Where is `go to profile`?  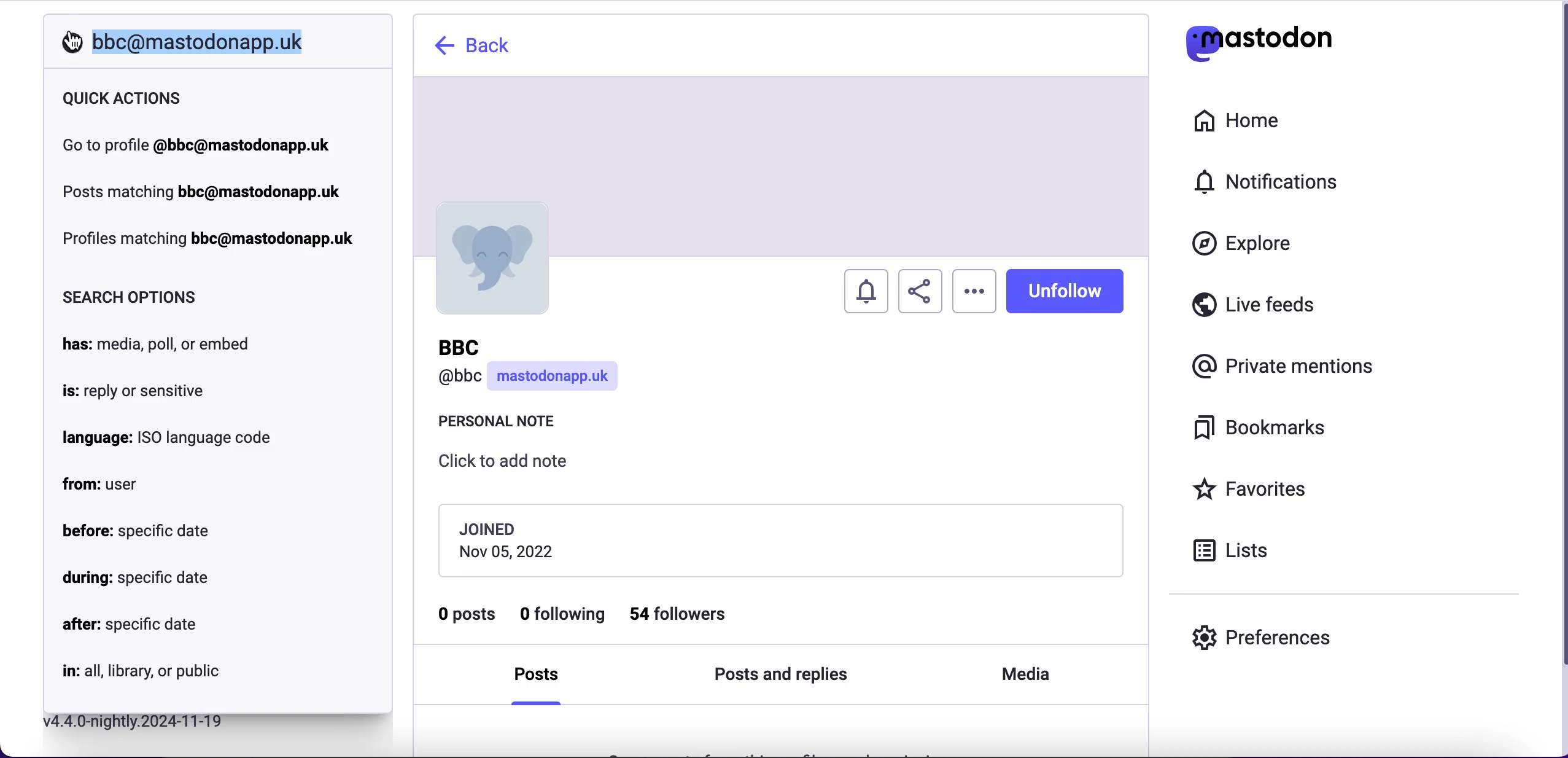 go to profile is located at coordinates (197, 145).